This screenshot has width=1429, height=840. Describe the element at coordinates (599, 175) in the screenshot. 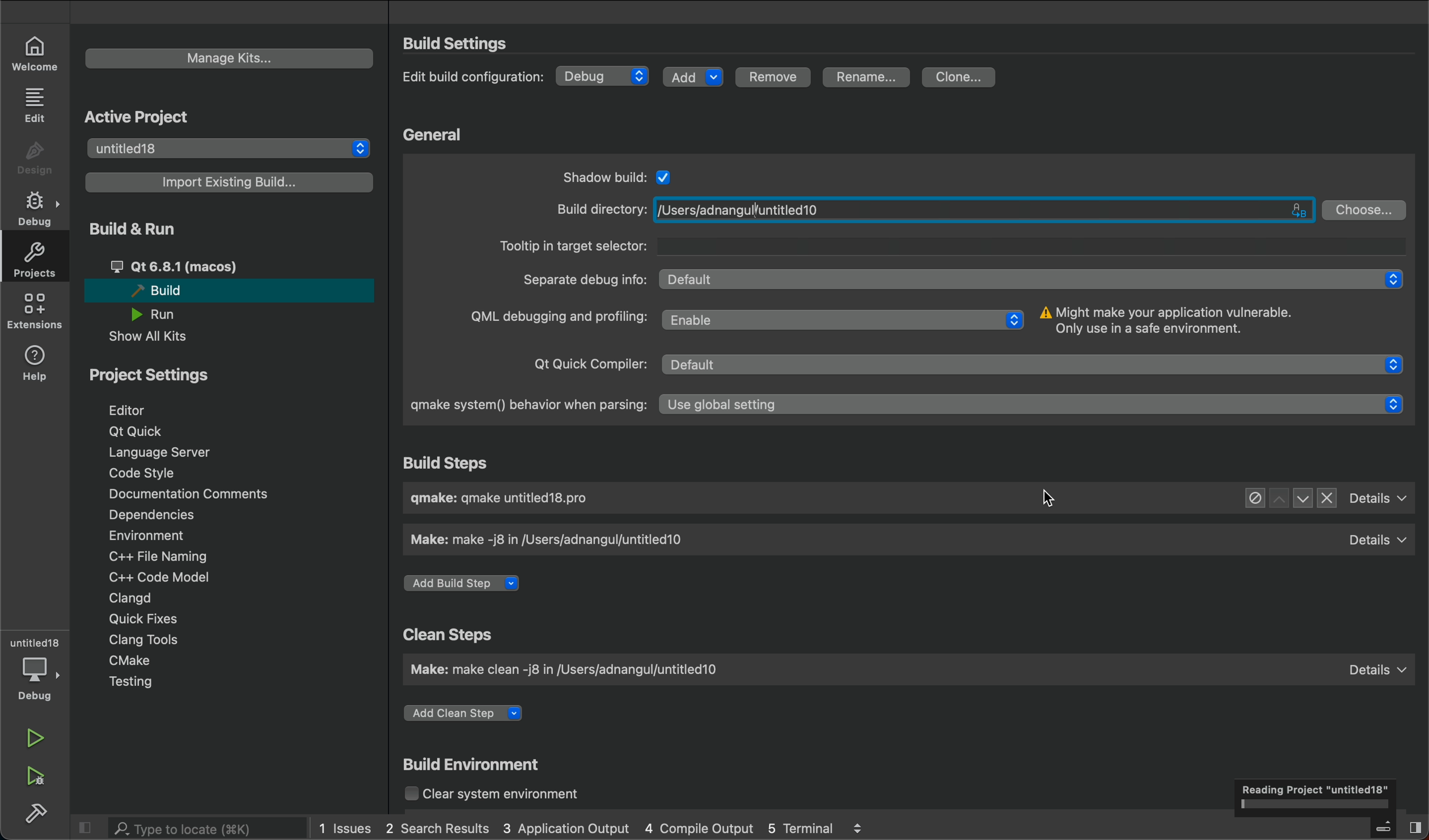

I see `shadow build` at that location.